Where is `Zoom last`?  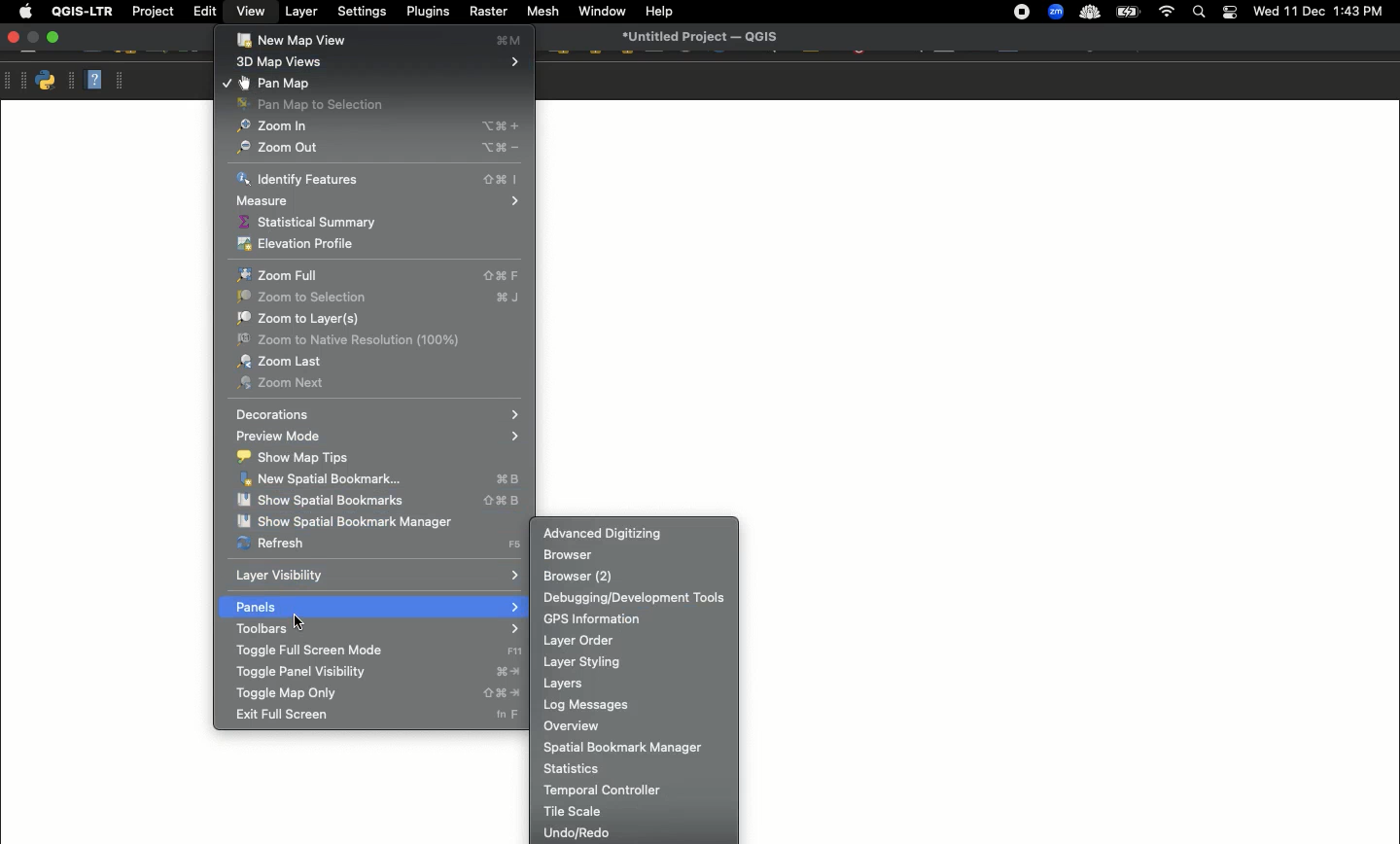
Zoom last is located at coordinates (374, 363).